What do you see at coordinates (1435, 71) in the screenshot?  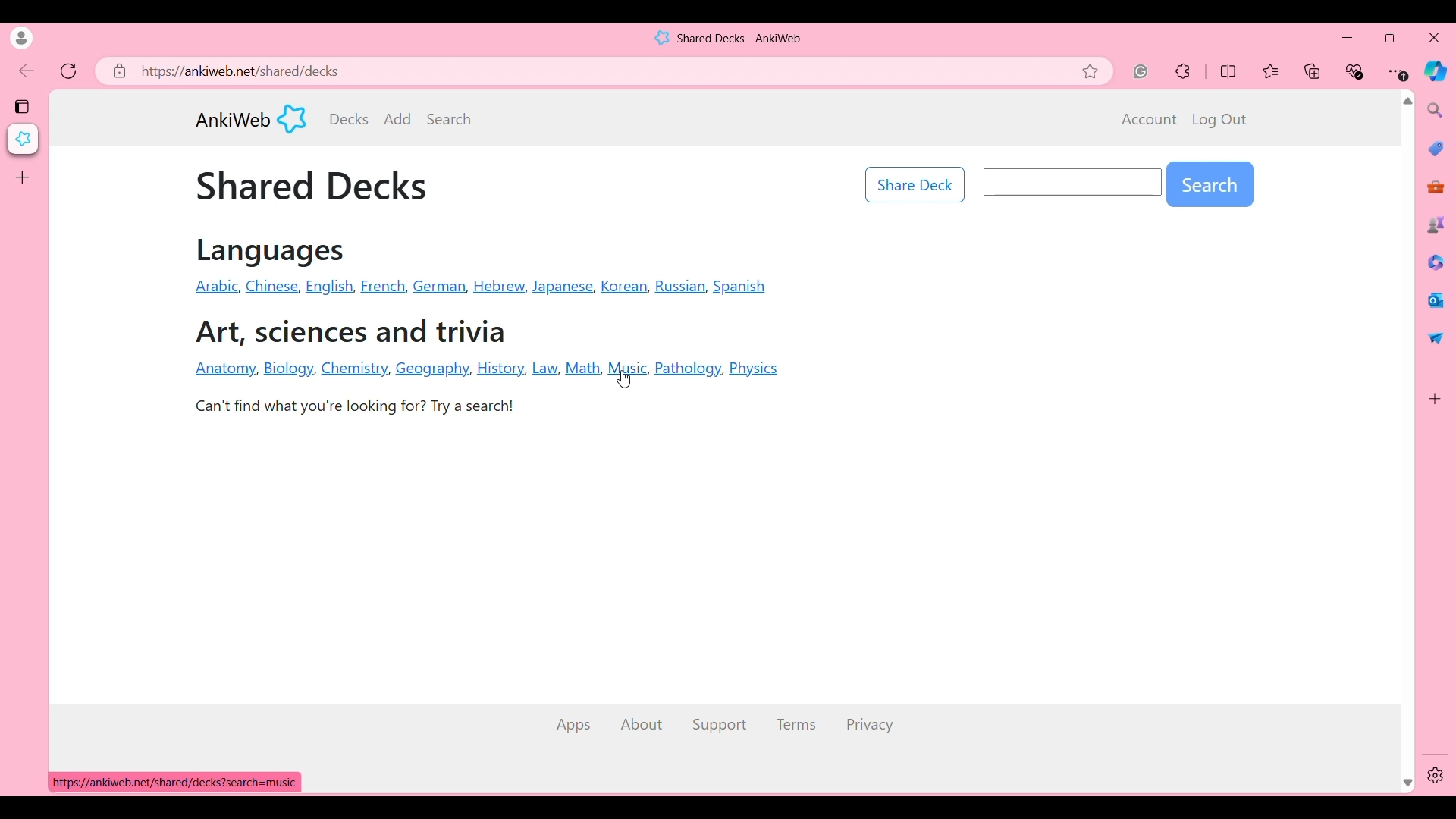 I see `Browser AI` at bounding box center [1435, 71].